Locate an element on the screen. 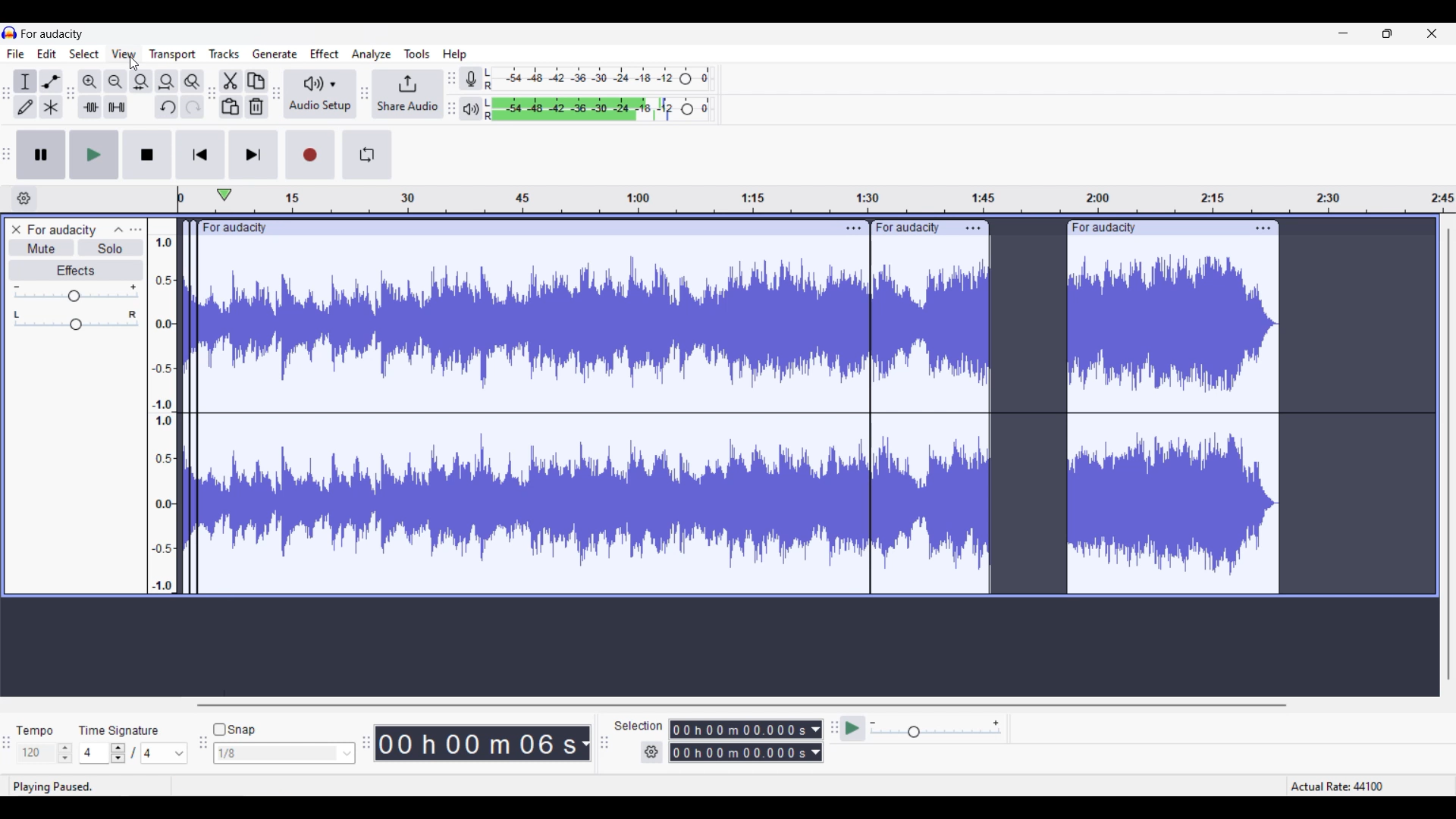 The width and height of the screenshot is (1456, 819). Select menu is located at coordinates (84, 54).